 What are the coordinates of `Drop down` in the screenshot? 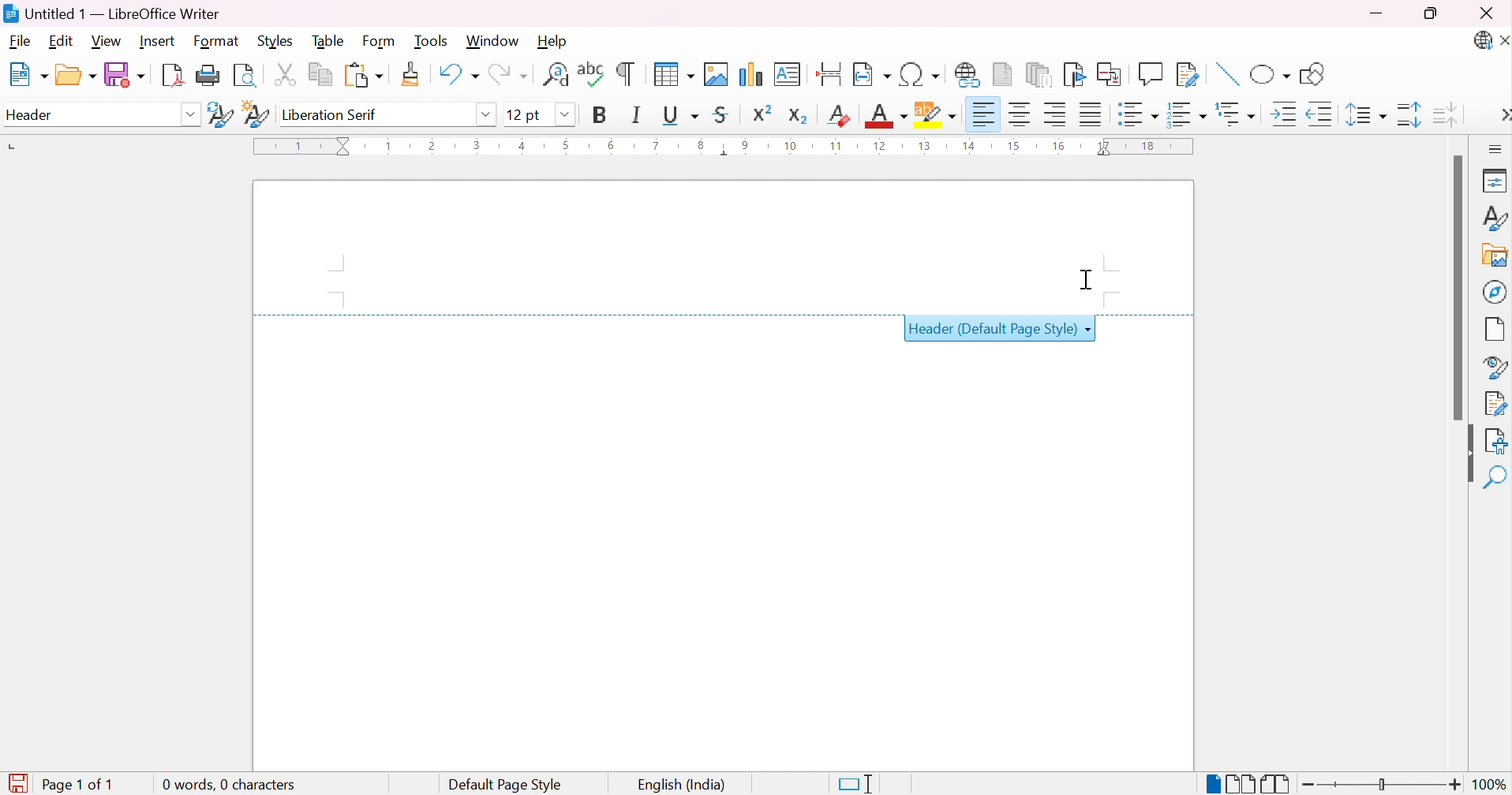 It's located at (1090, 330).